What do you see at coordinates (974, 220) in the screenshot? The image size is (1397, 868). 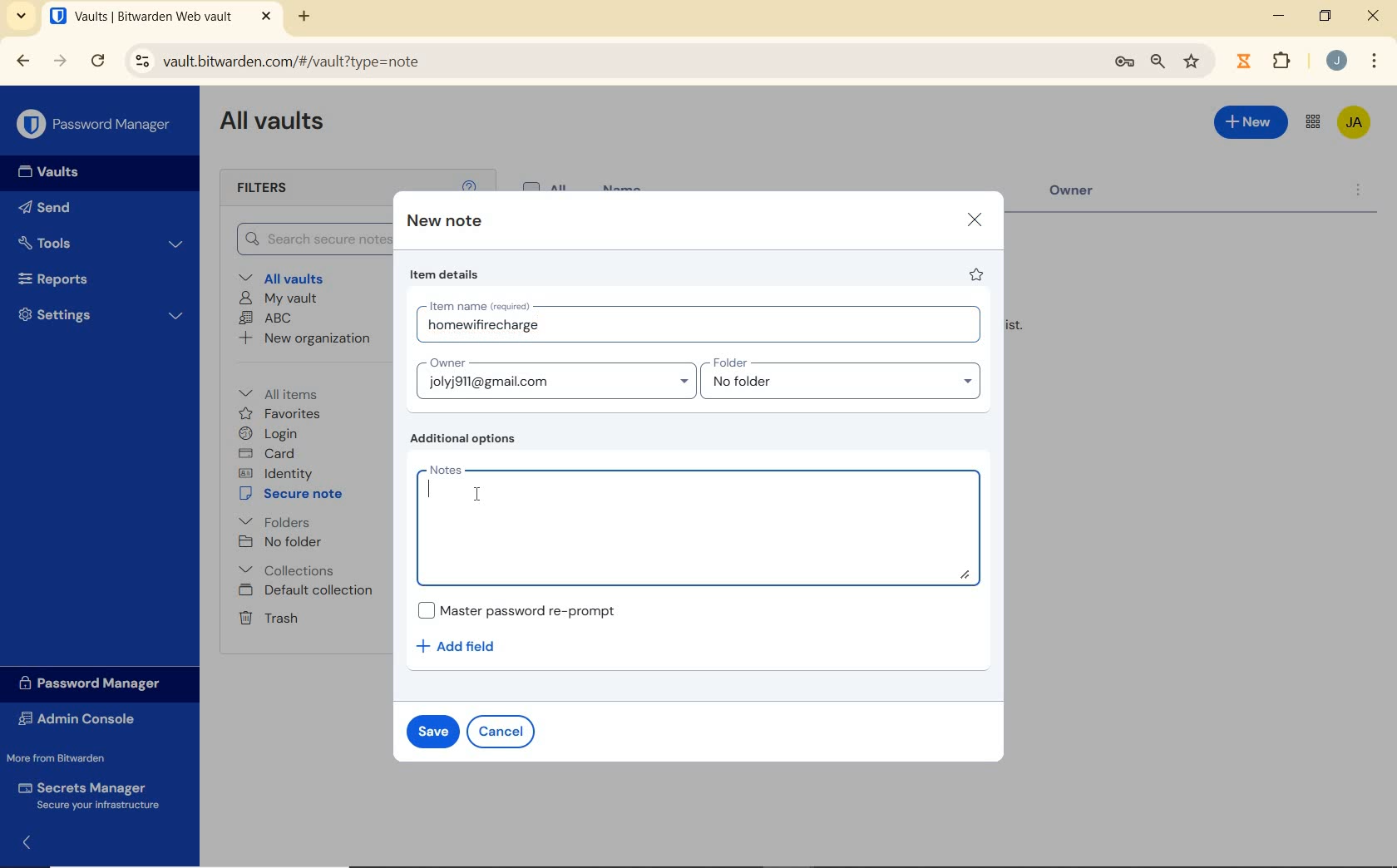 I see `close` at bounding box center [974, 220].